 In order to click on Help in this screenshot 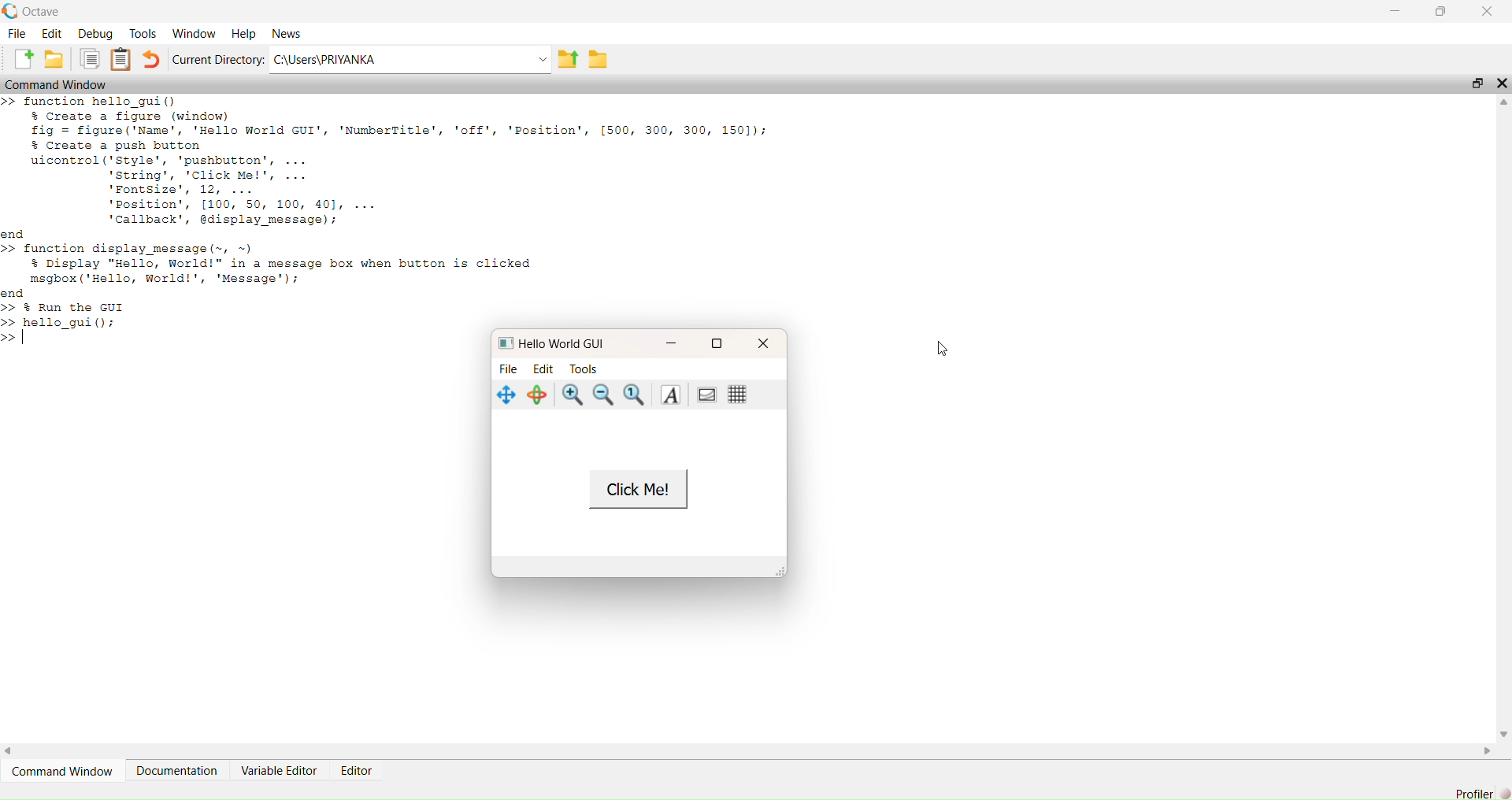, I will do `click(243, 30)`.